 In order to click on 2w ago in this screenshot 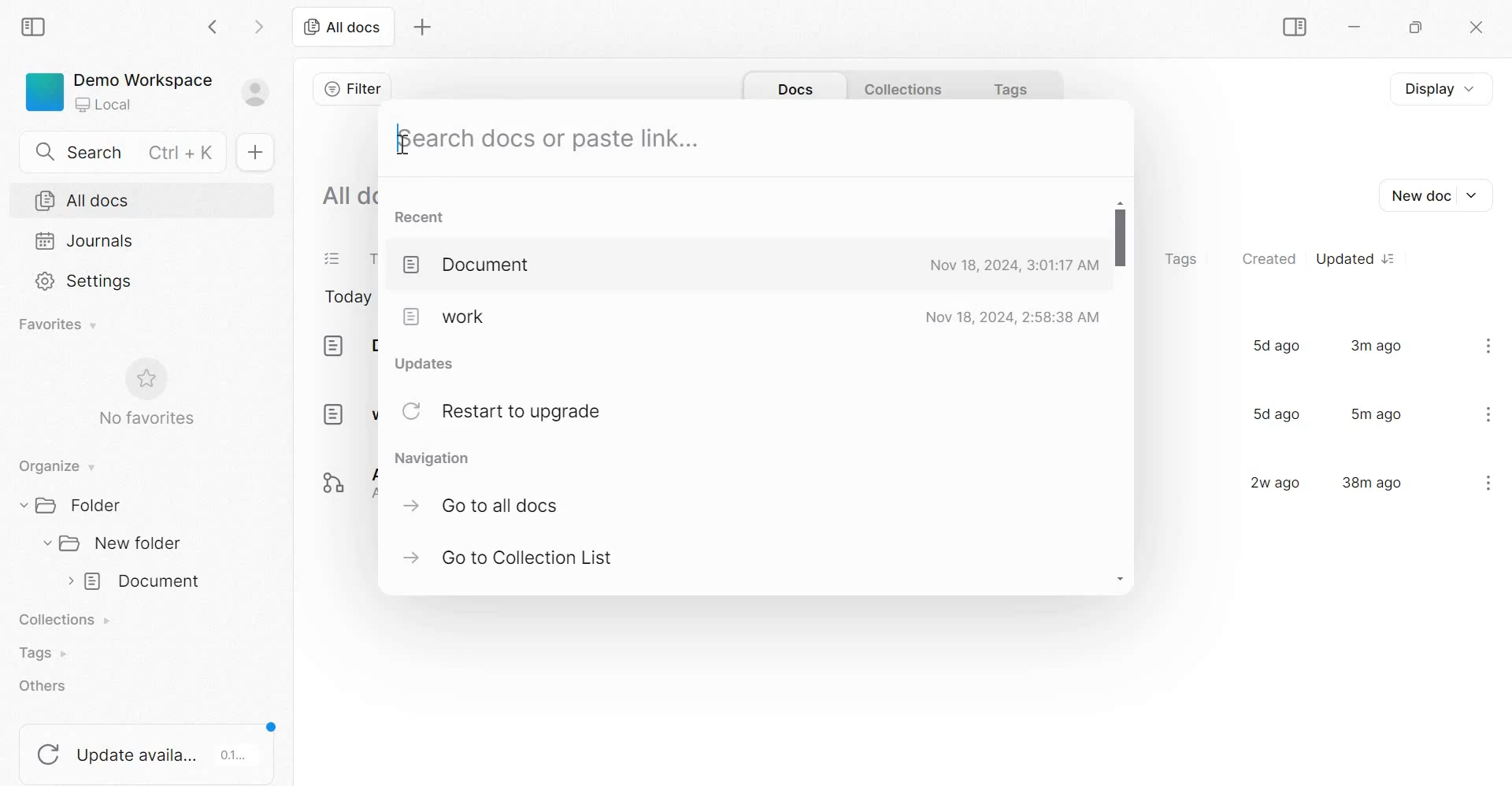, I will do `click(1270, 481)`.